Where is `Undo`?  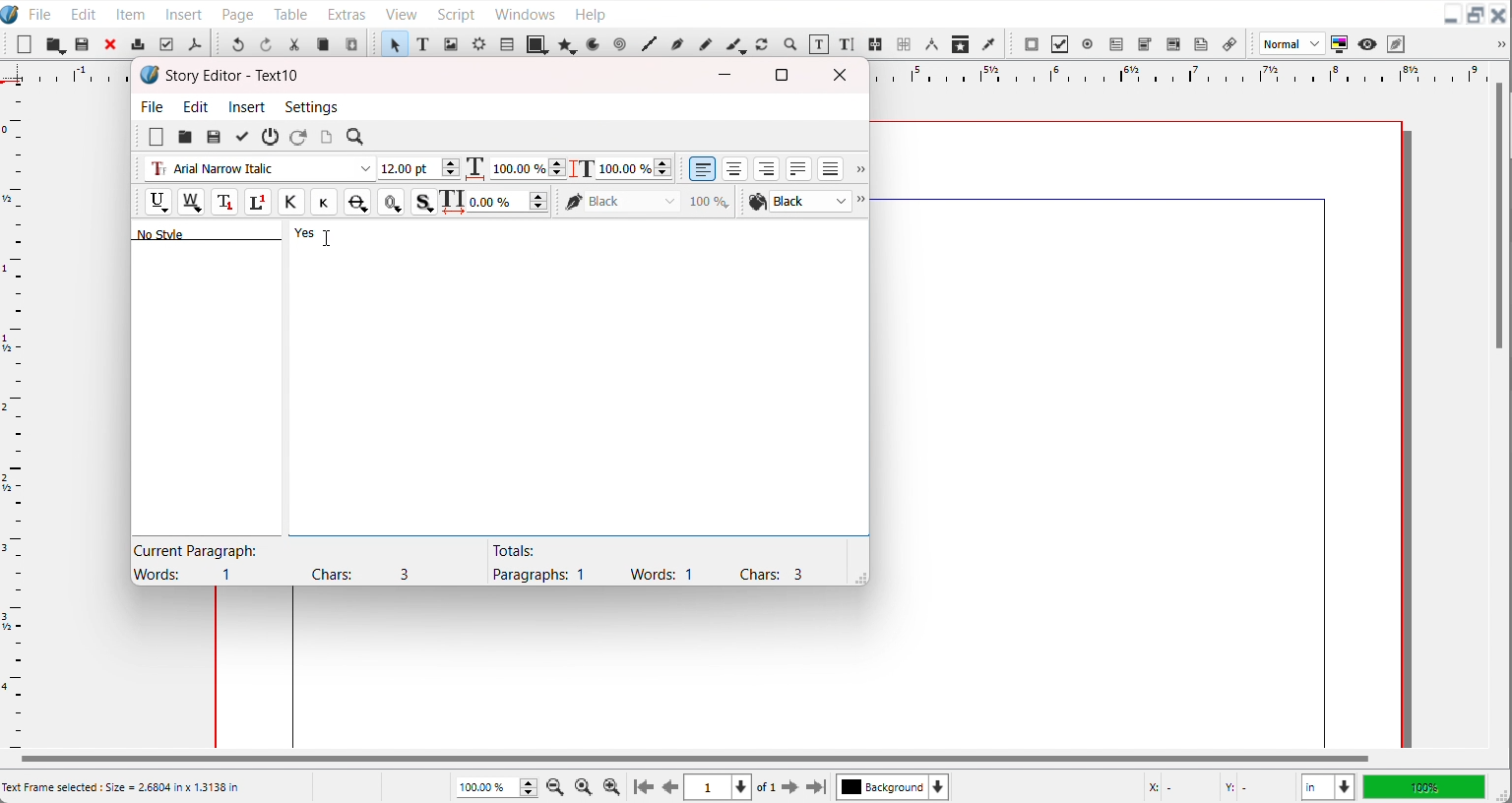
Undo is located at coordinates (237, 43).